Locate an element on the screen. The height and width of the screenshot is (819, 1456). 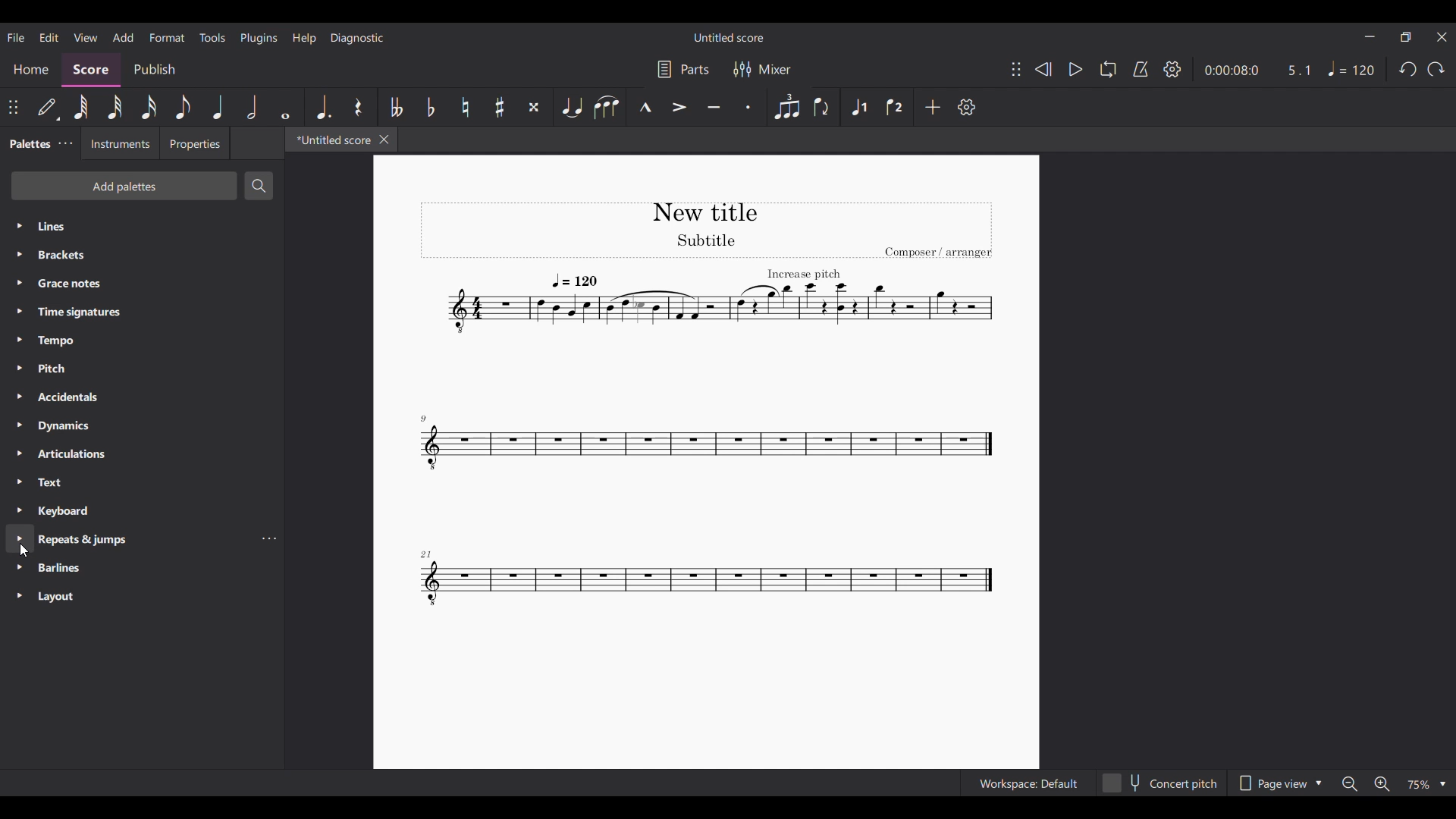
Text is located at coordinates (143, 482).